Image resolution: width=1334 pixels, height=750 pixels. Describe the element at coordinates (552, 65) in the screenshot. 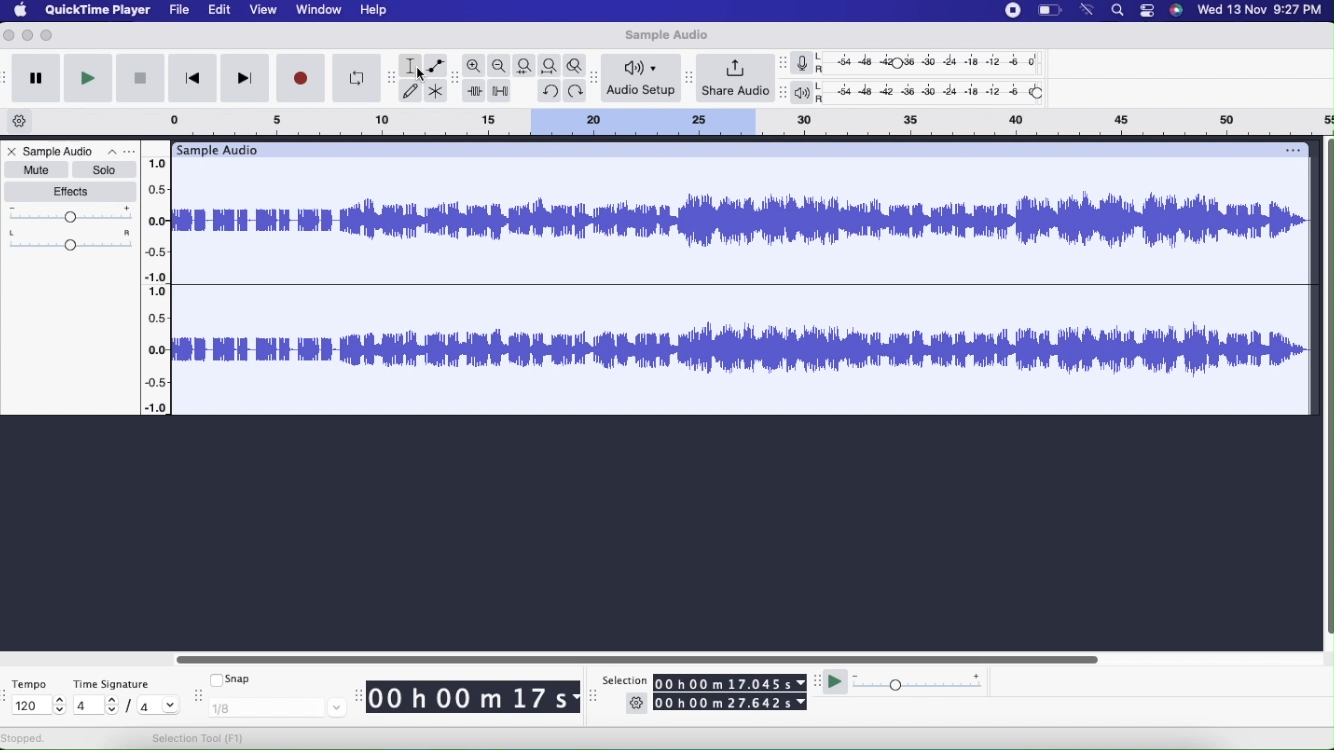

I see `Fit project to width` at that location.